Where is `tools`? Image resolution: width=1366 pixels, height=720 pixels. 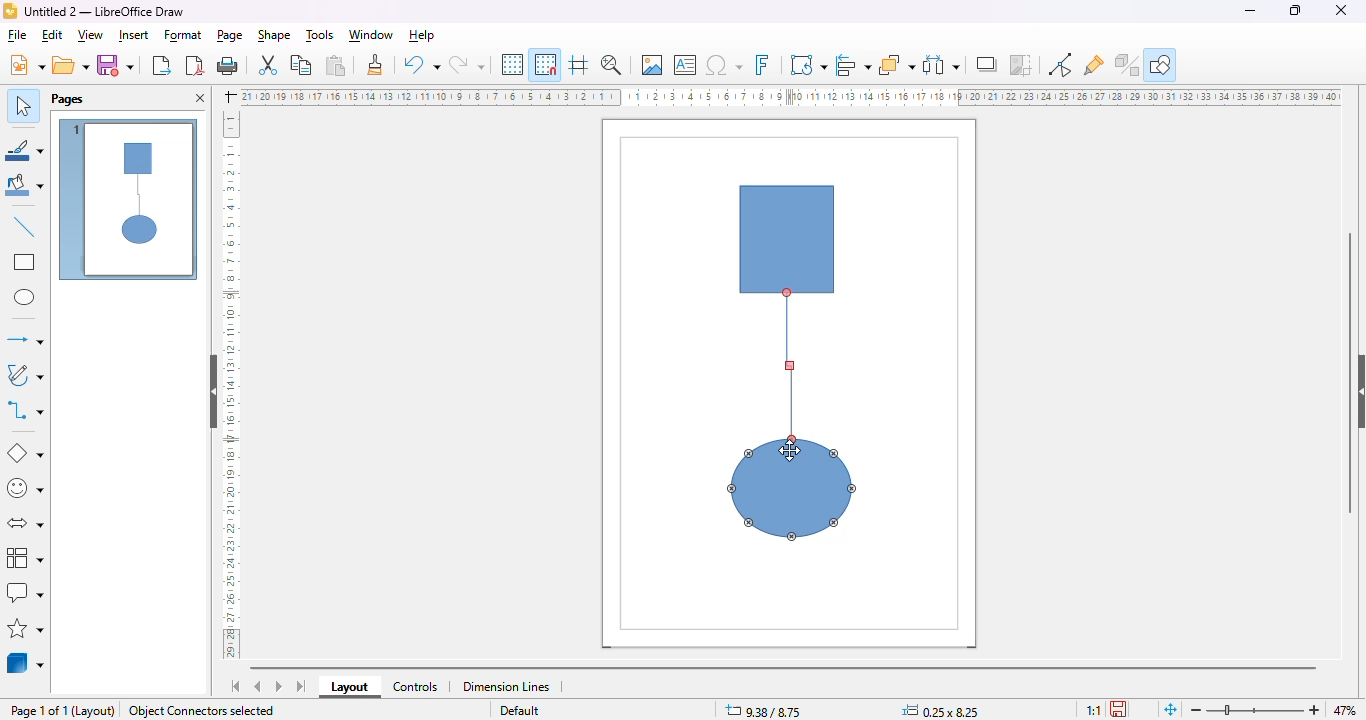
tools is located at coordinates (321, 35).